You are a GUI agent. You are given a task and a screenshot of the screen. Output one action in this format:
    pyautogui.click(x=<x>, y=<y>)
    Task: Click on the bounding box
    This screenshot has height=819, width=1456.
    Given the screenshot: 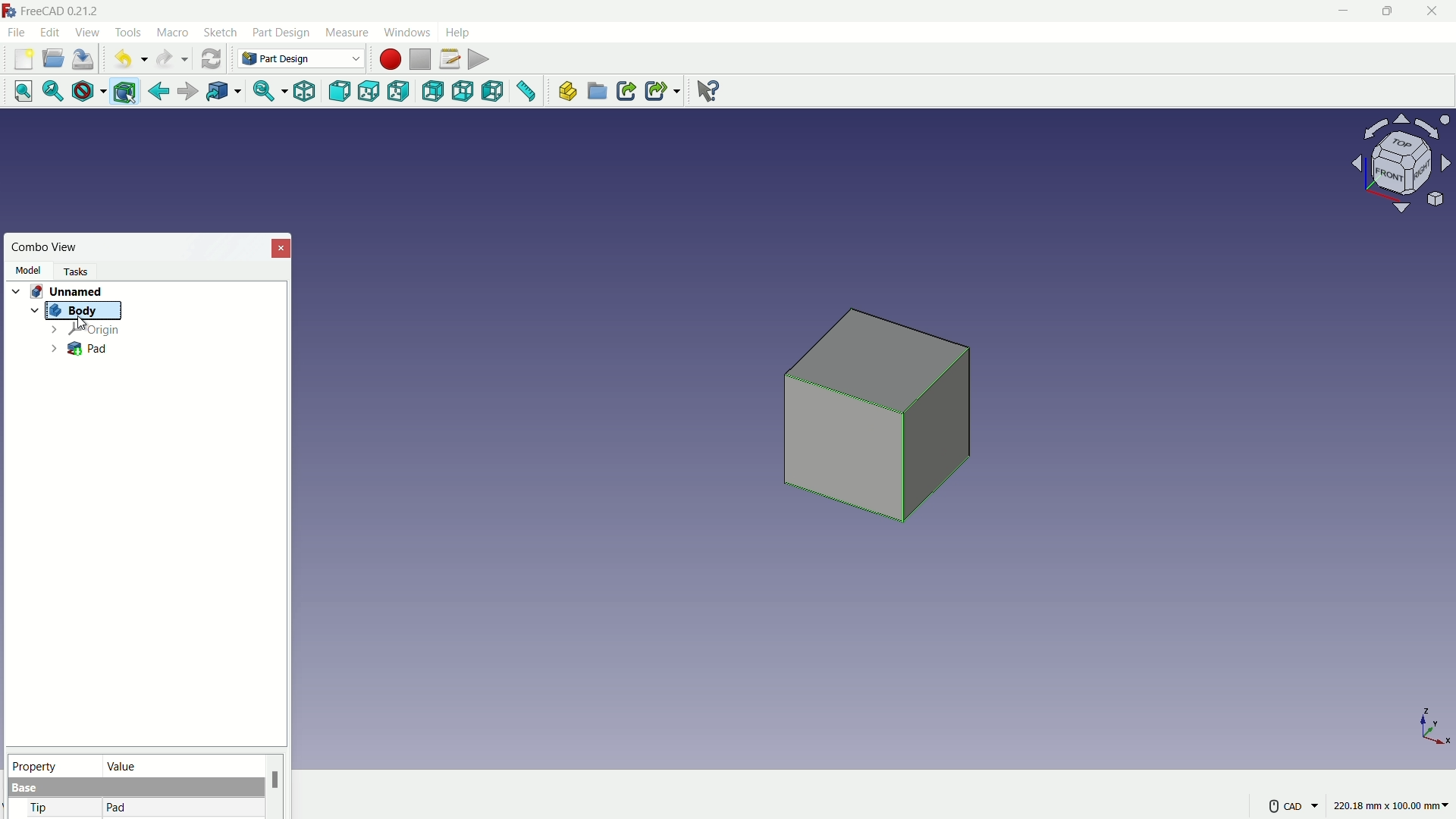 What is the action you would take?
    pyautogui.click(x=127, y=93)
    